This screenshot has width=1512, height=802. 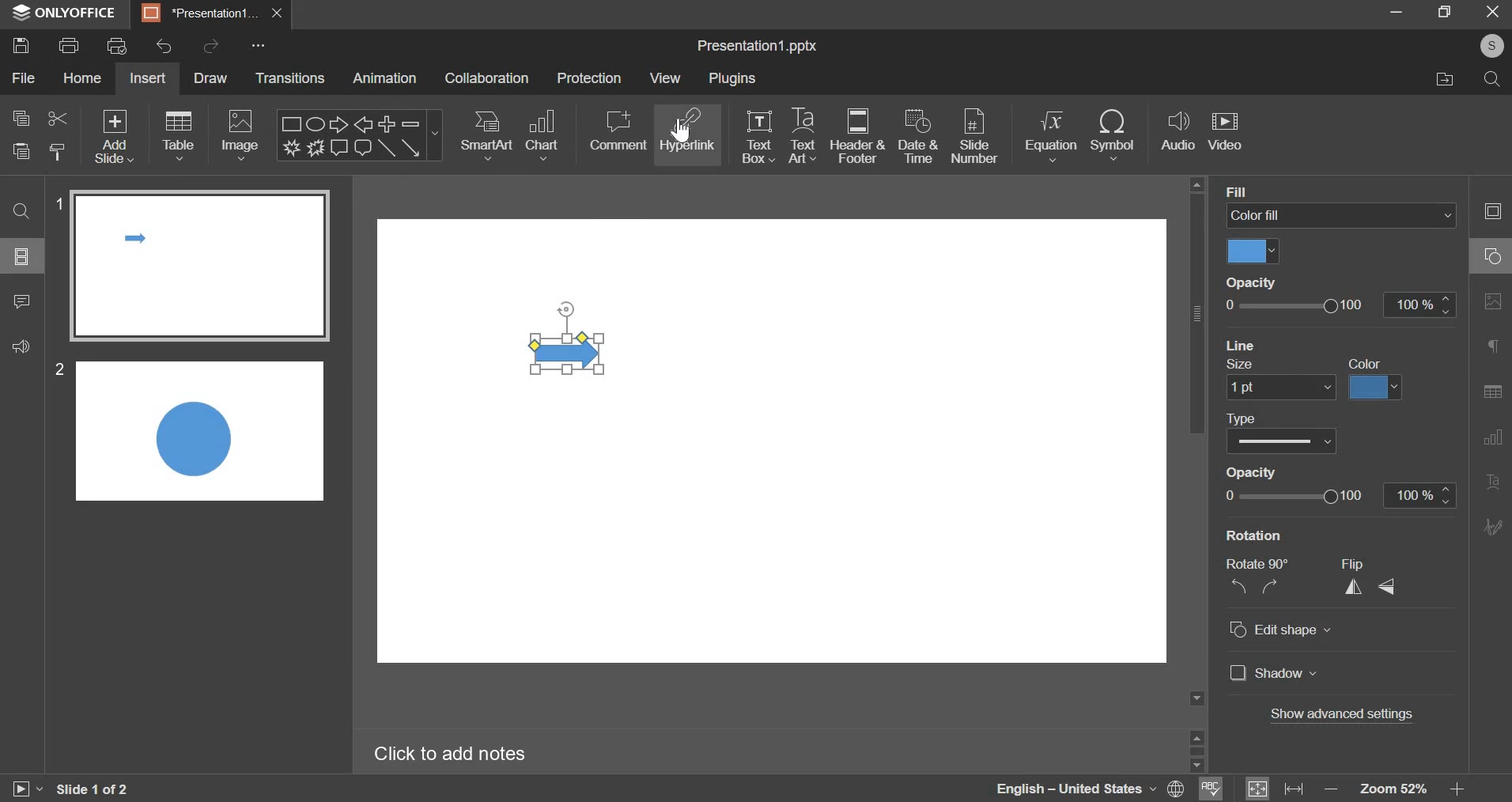 What do you see at coordinates (1494, 81) in the screenshot?
I see `search` at bounding box center [1494, 81].